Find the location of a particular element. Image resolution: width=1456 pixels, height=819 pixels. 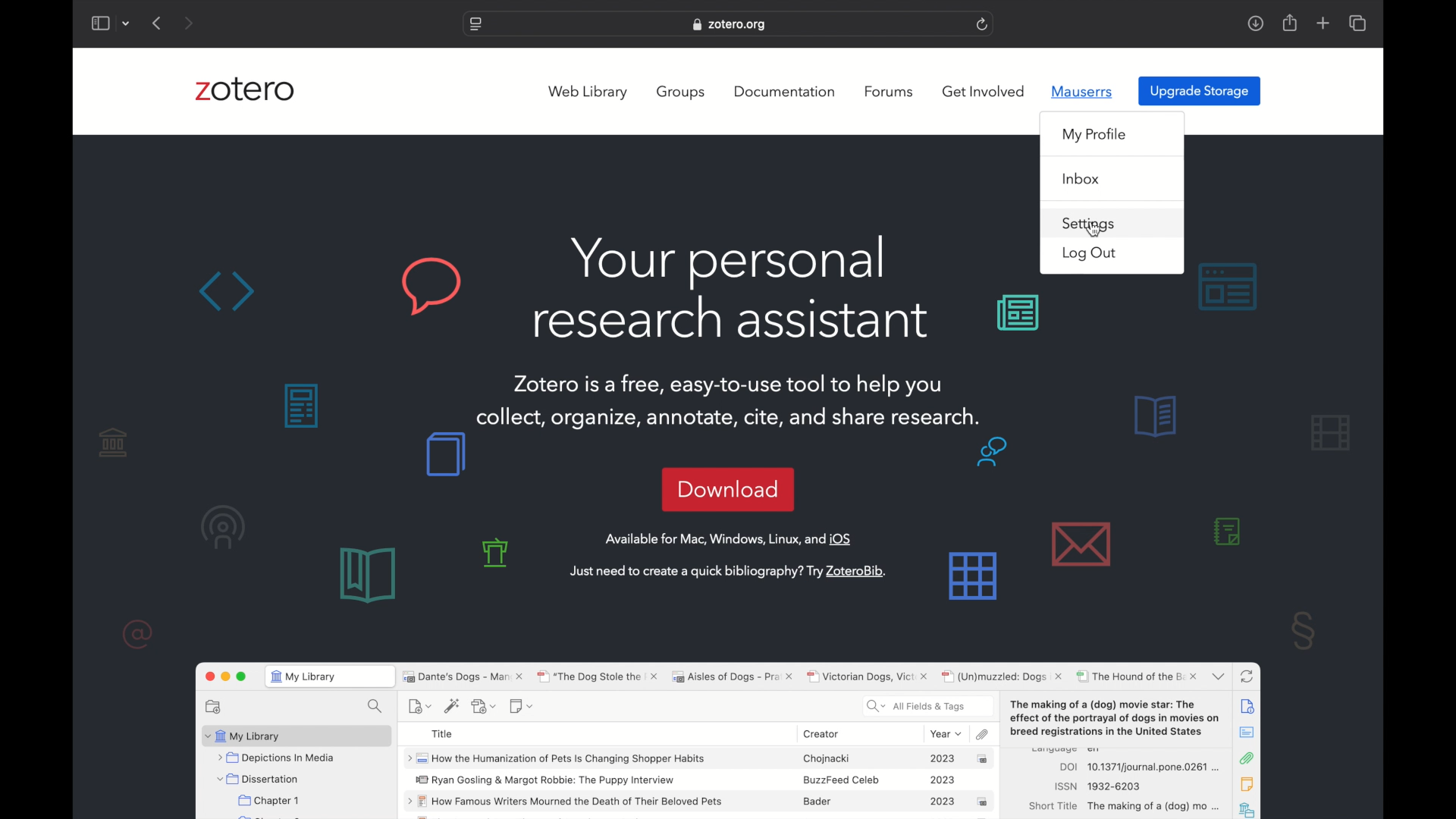

show tab overview is located at coordinates (1357, 23).